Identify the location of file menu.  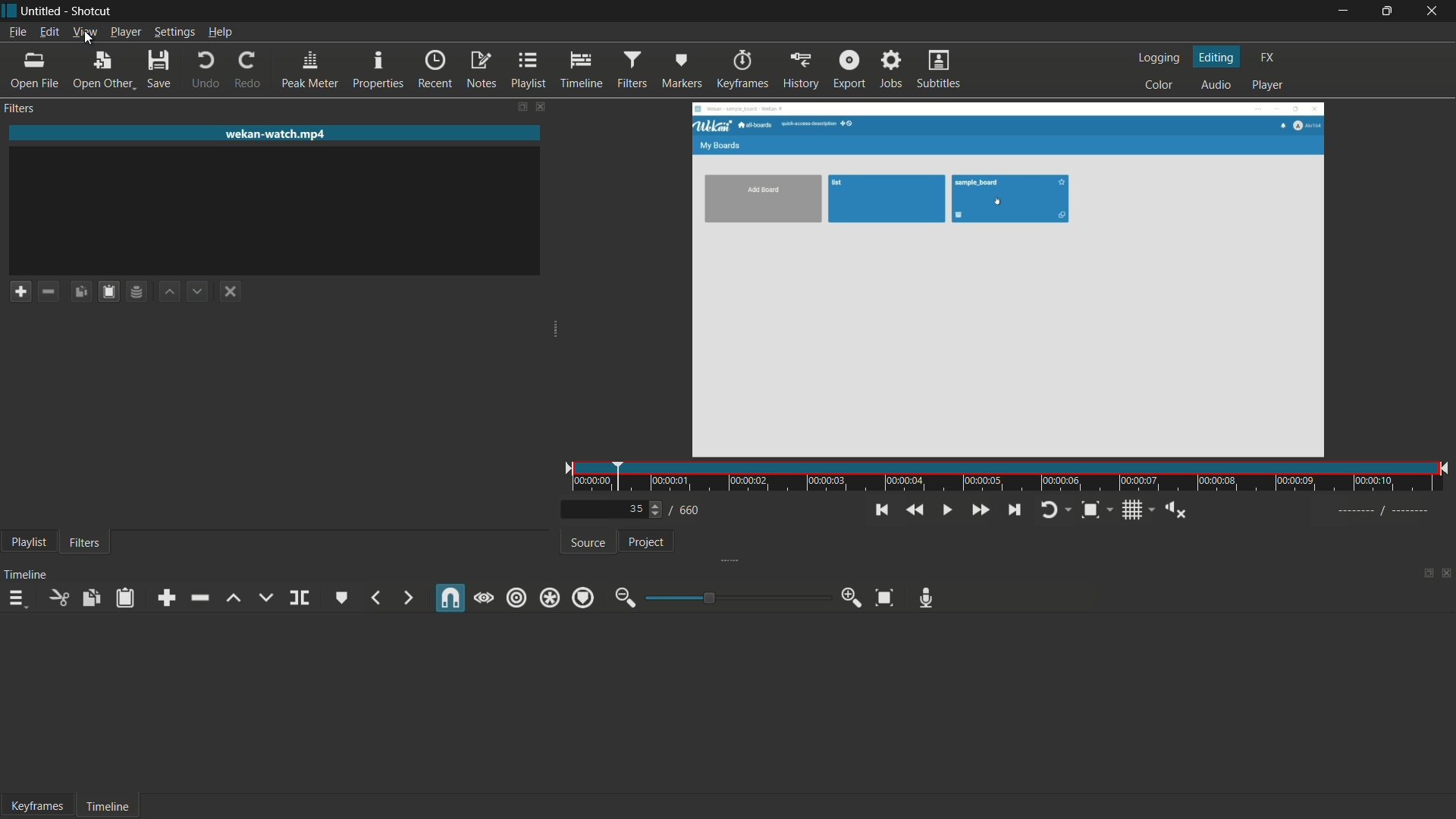
(17, 32).